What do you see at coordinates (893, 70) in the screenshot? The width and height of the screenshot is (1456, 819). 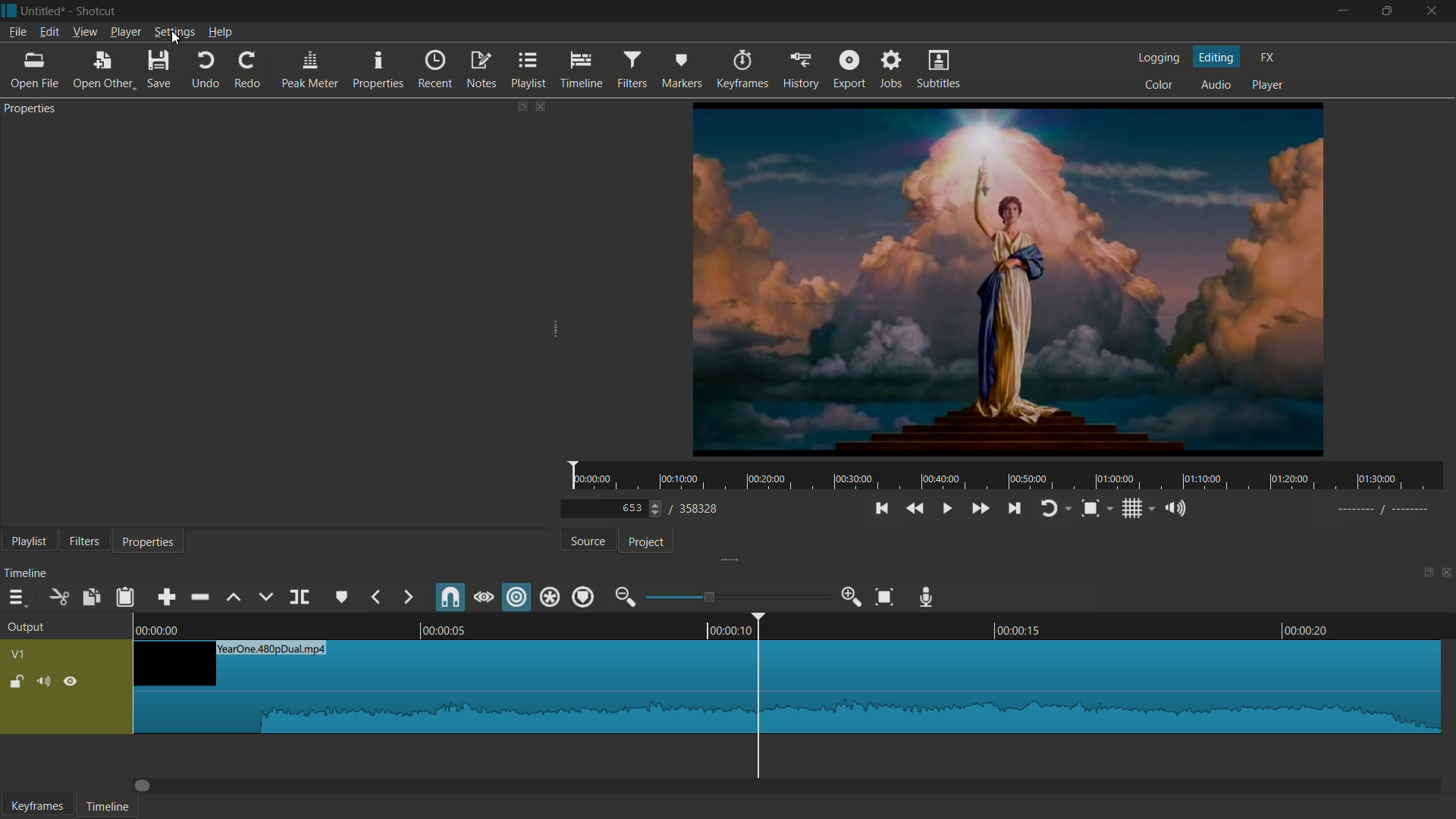 I see `jobs` at bounding box center [893, 70].